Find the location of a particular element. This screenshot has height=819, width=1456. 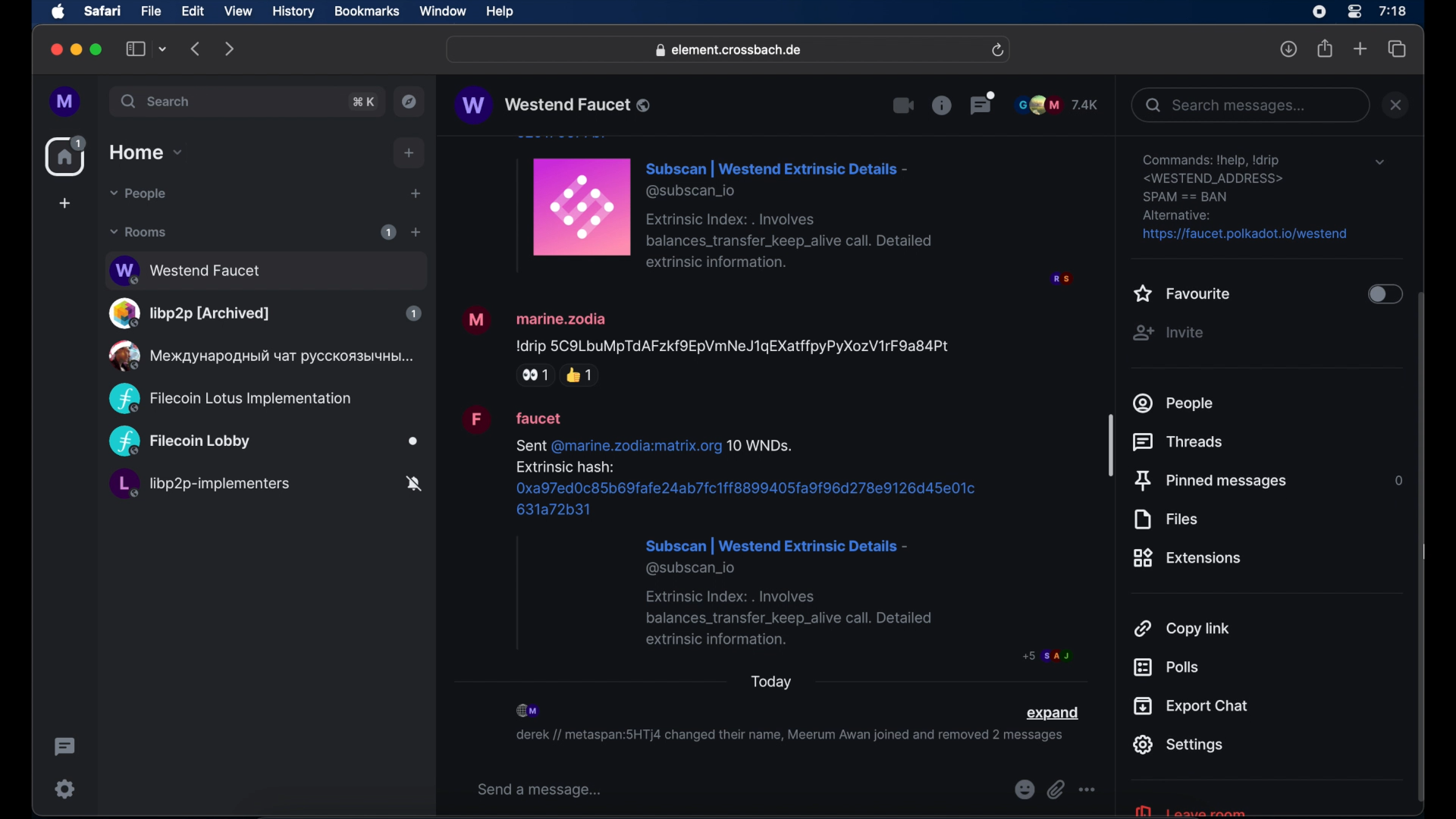

backward is located at coordinates (196, 49).